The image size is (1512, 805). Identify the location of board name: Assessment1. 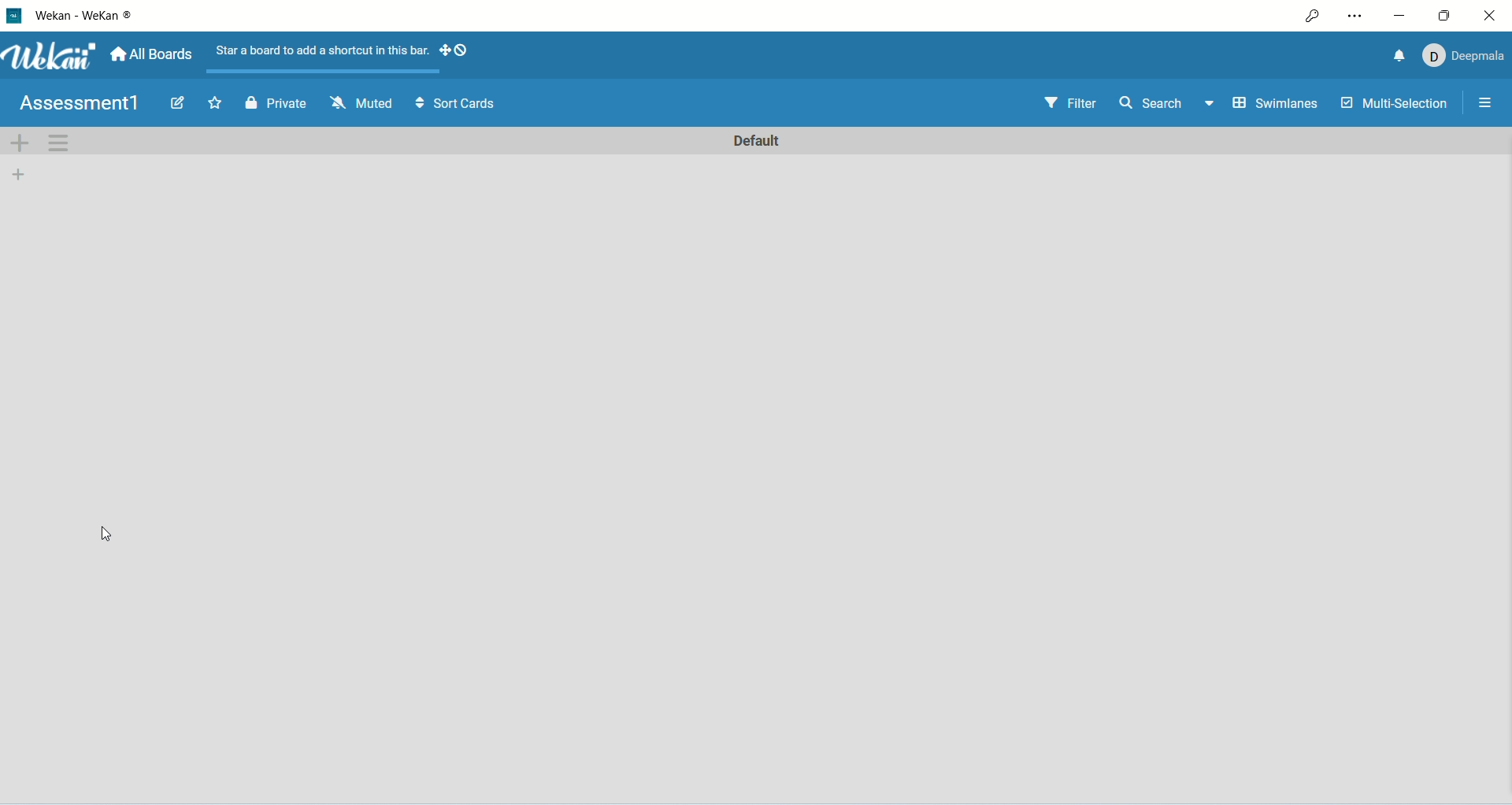
(80, 103).